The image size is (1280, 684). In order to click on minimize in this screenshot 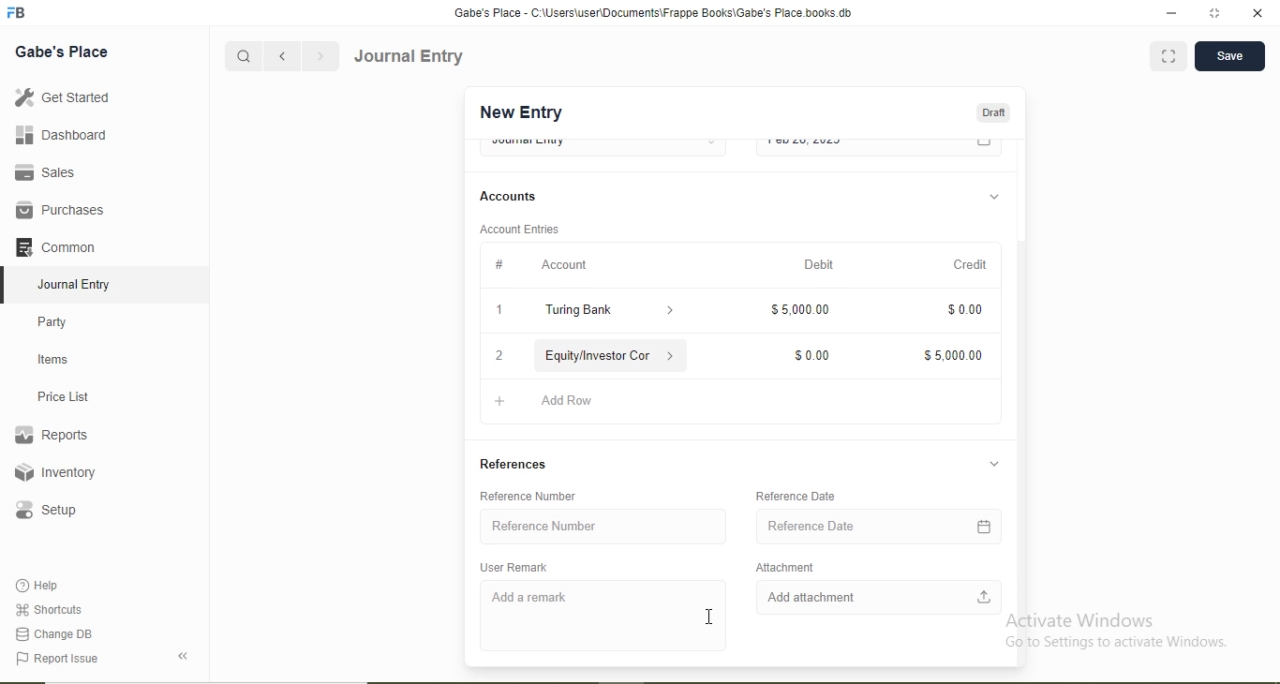, I will do `click(1169, 14)`.